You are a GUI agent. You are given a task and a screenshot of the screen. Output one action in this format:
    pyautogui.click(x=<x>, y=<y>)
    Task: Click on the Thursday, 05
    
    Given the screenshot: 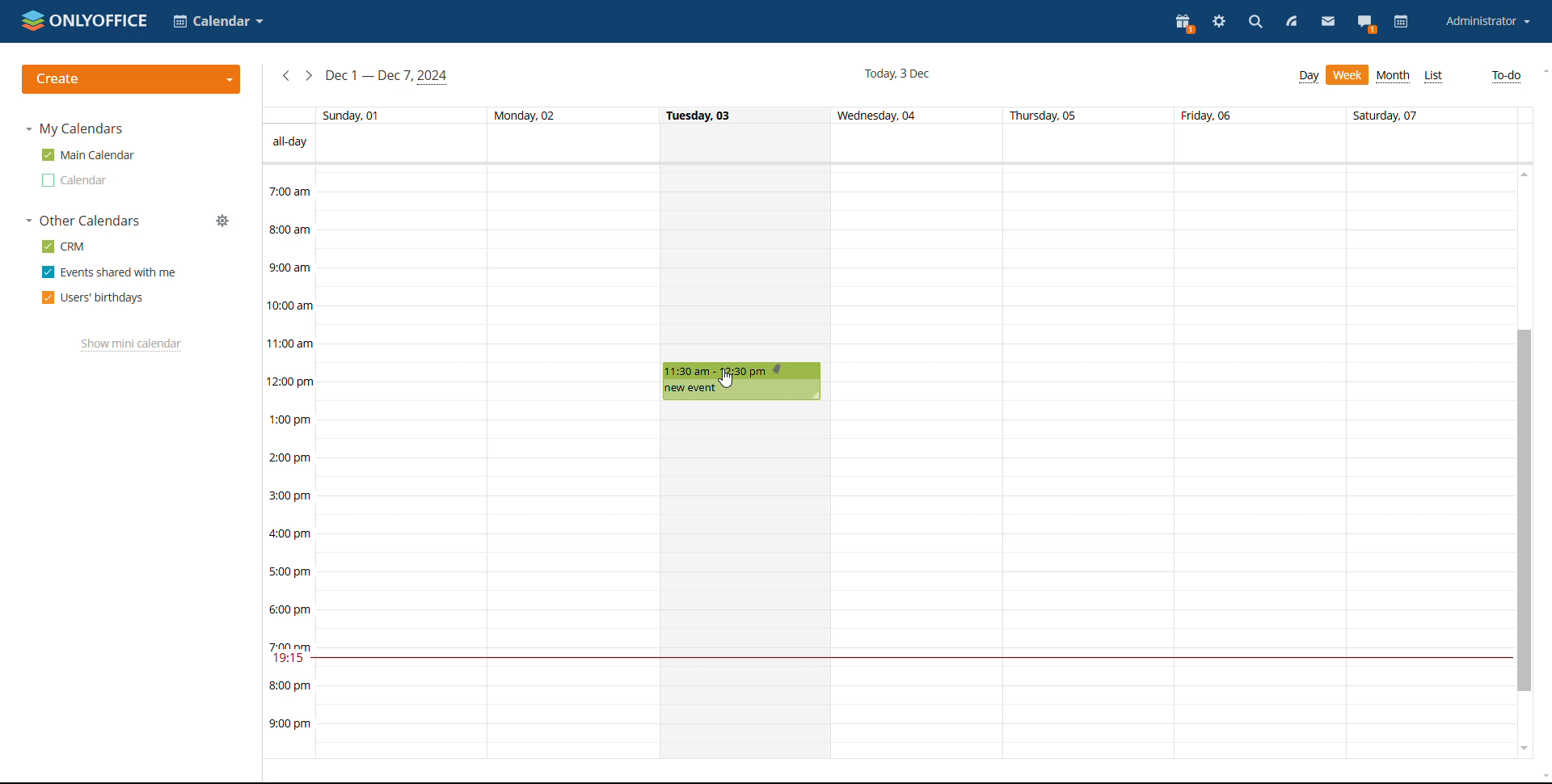 What is the action you would take?
    pyautogui.click(x=1045, y=116)
    